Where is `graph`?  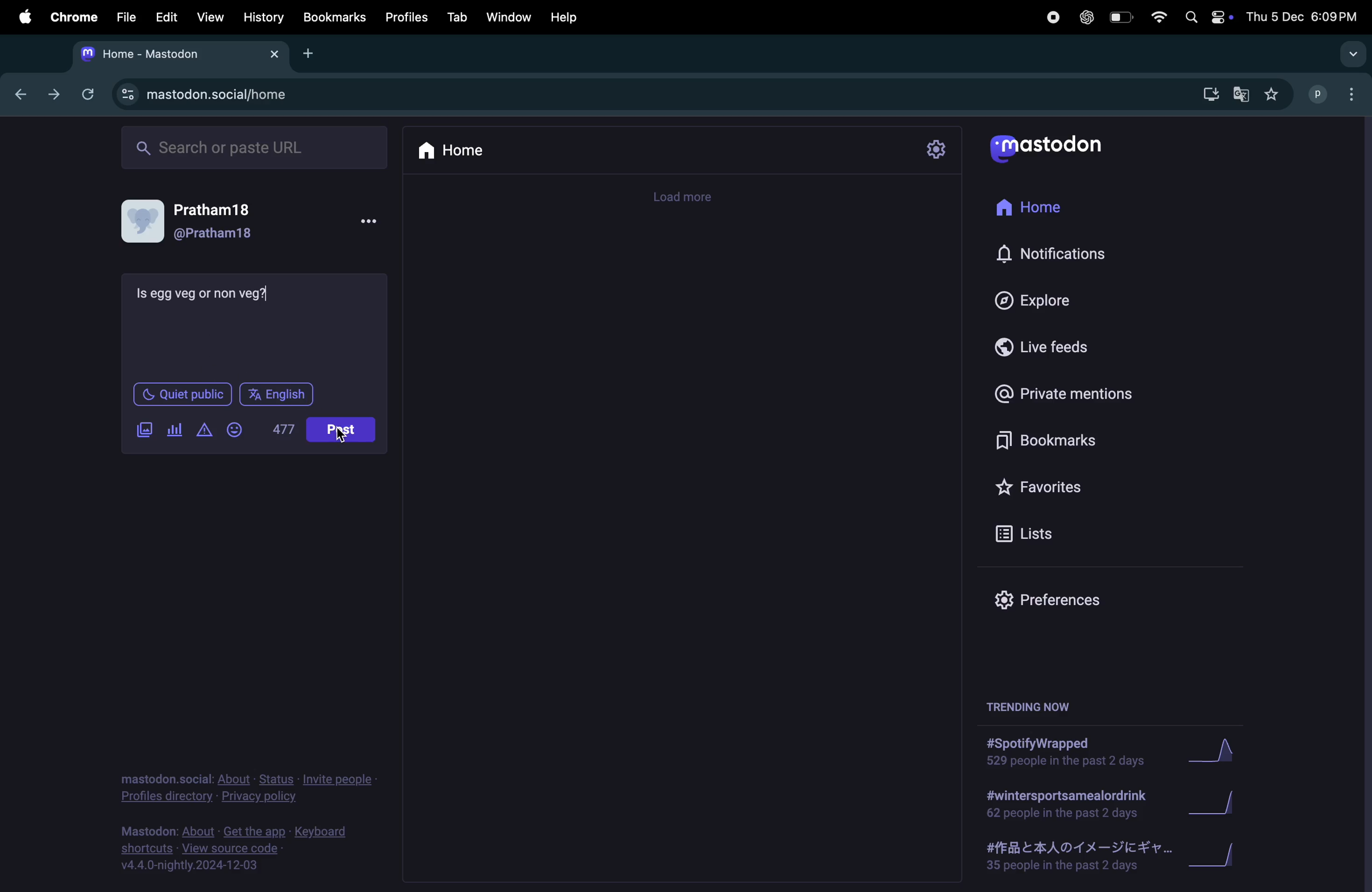 graph is located at coordinates (1220, 860).